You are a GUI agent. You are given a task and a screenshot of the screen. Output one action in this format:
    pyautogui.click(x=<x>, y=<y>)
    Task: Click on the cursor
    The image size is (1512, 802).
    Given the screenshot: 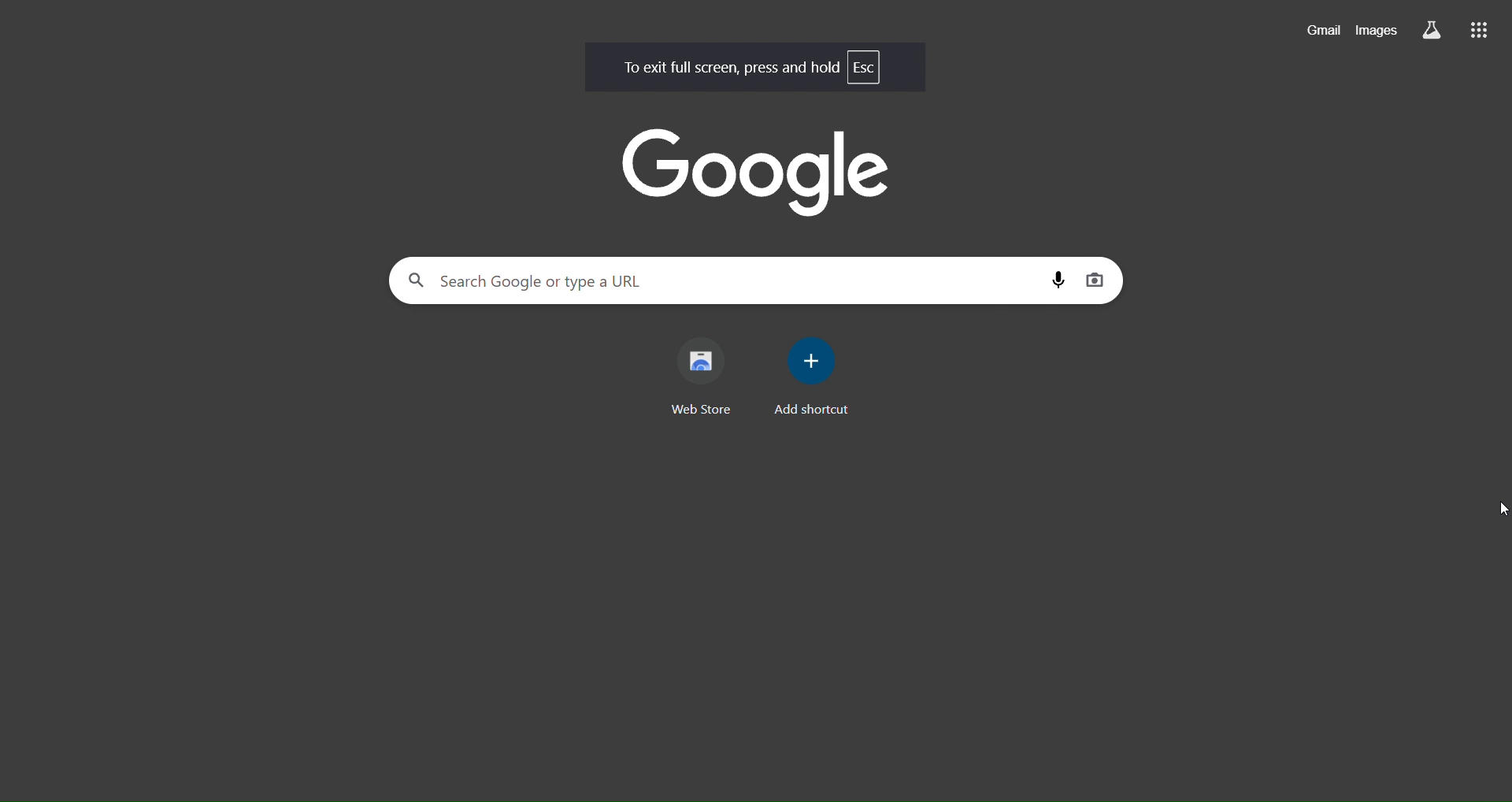 What is the action you would take?
    pyautogui.click(x=1498, y=507)
    